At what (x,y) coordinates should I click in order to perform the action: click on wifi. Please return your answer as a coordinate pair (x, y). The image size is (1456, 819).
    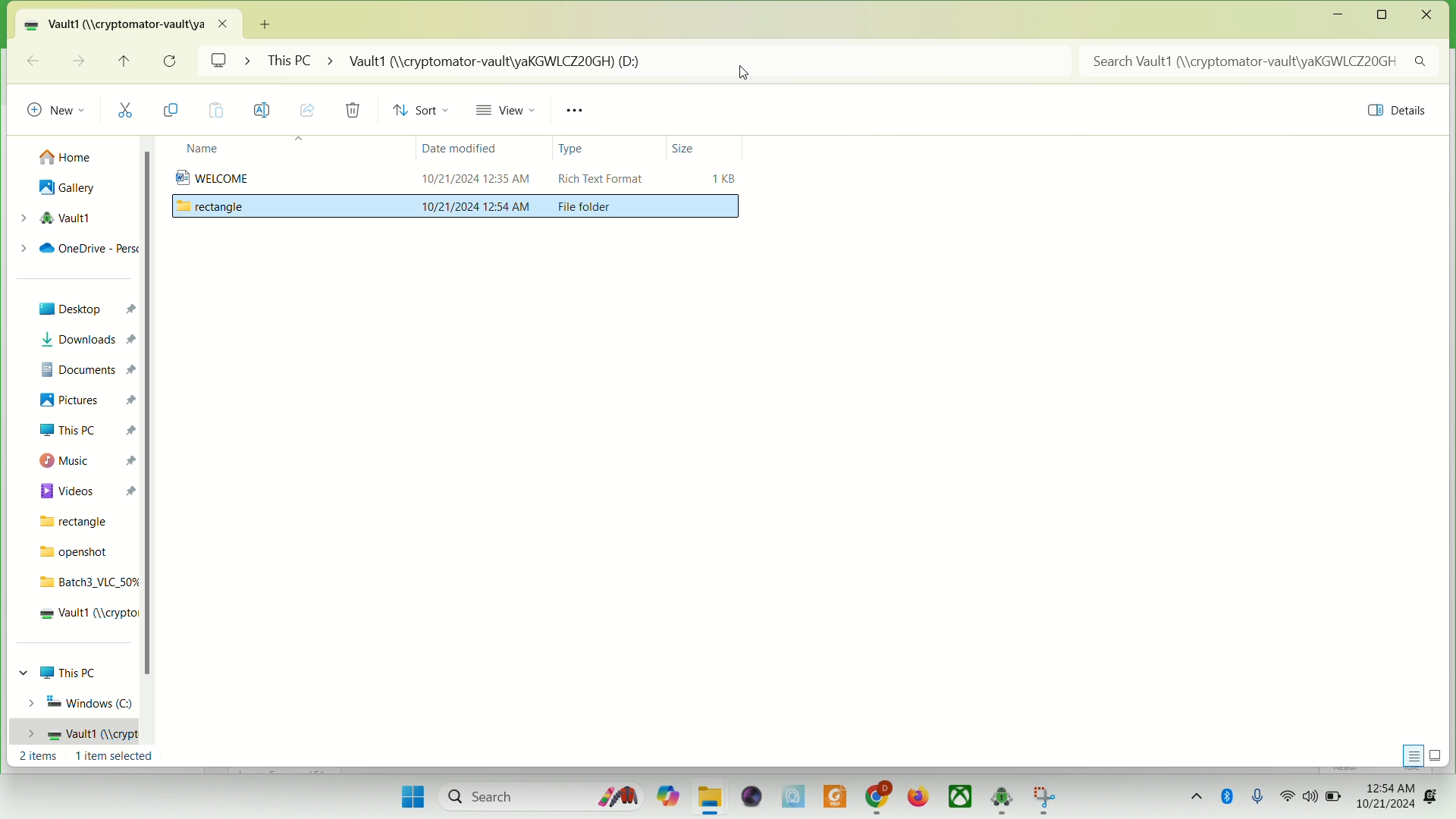
    Looking at the image, I should click on (1288, 796).